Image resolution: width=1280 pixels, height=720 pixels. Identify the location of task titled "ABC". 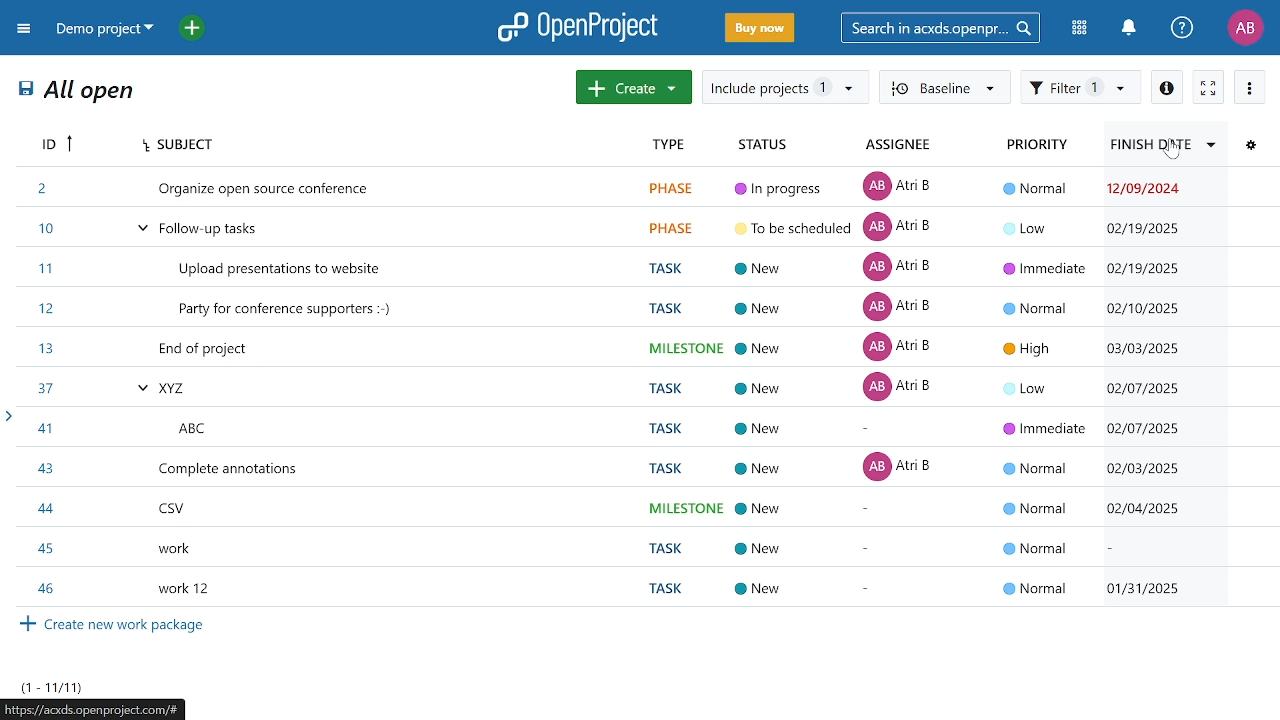
(647, 425).